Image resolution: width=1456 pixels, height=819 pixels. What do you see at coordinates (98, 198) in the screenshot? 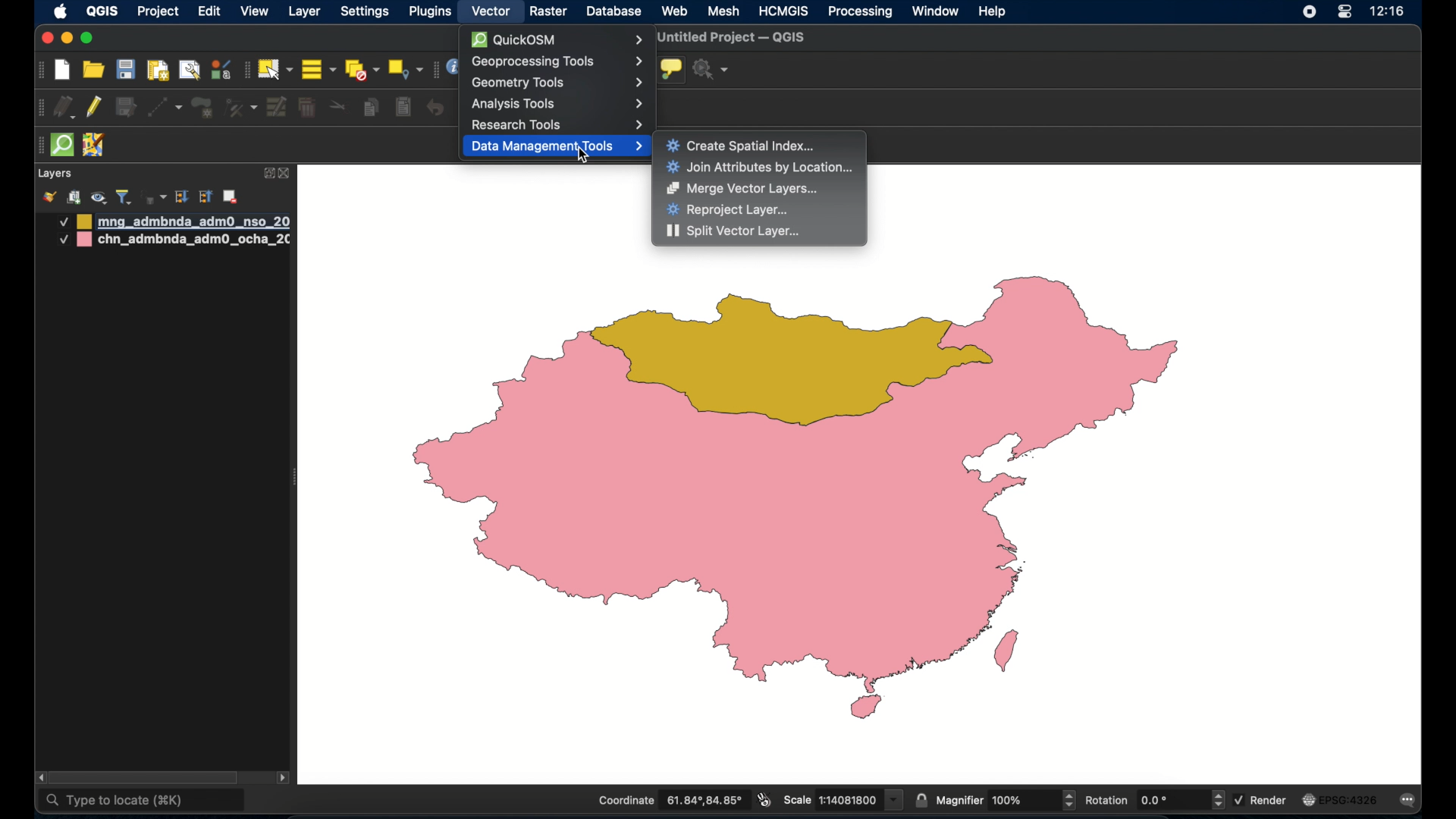
I see `manage map theme` at bounding box center [98, 198].